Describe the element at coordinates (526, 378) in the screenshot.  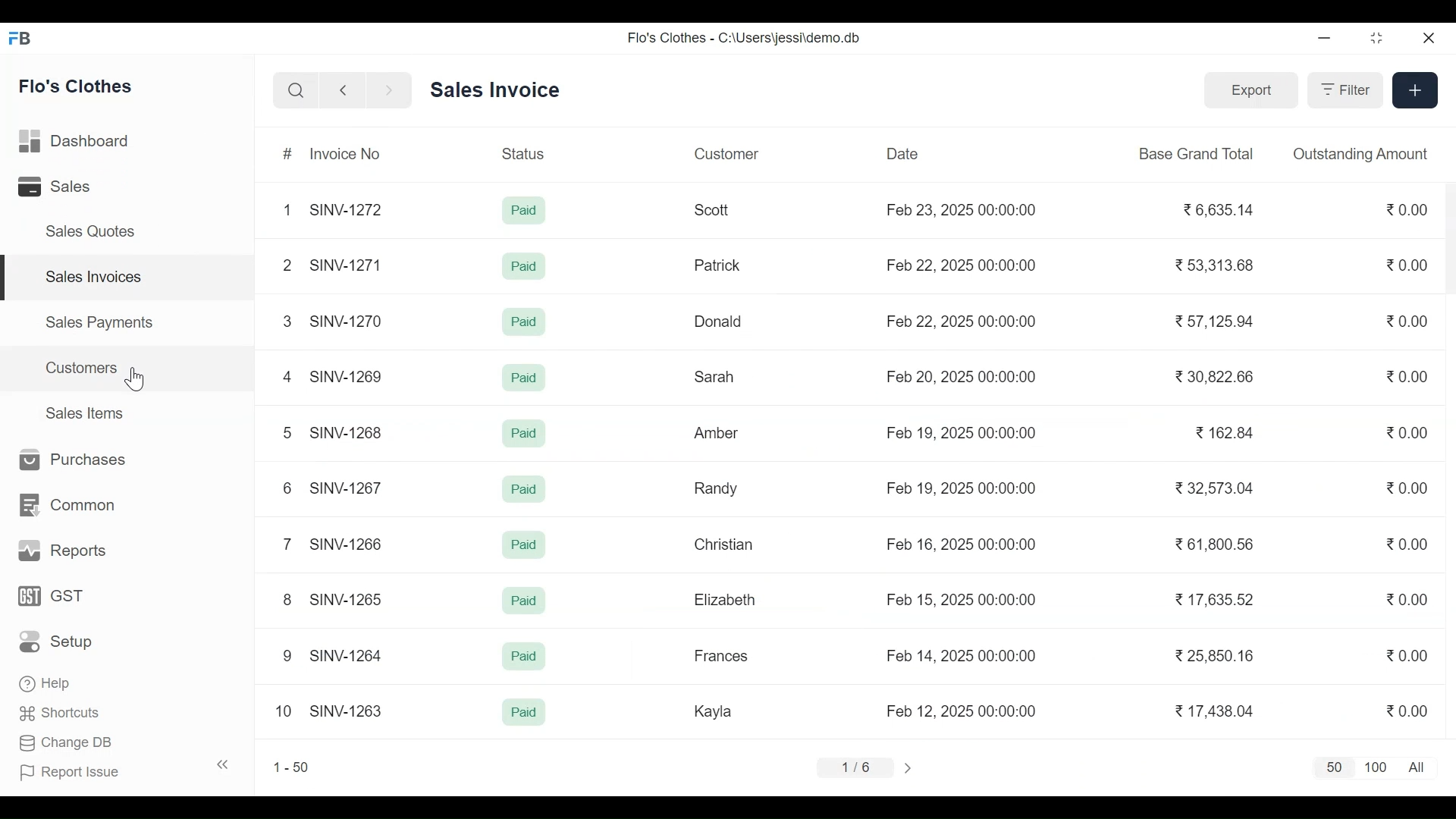
I see `Paid` at that location.